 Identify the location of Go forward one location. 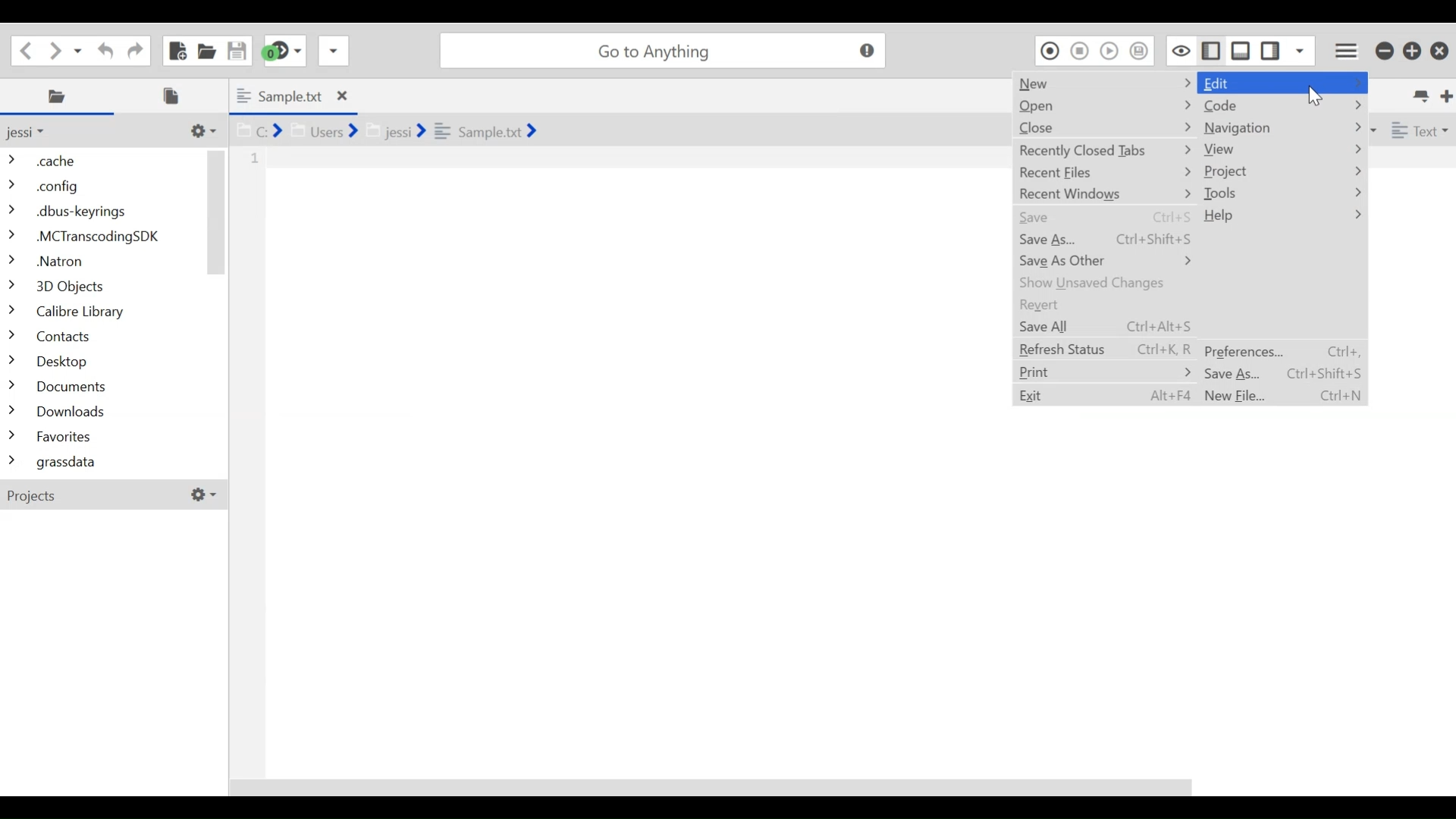
(56, 49).